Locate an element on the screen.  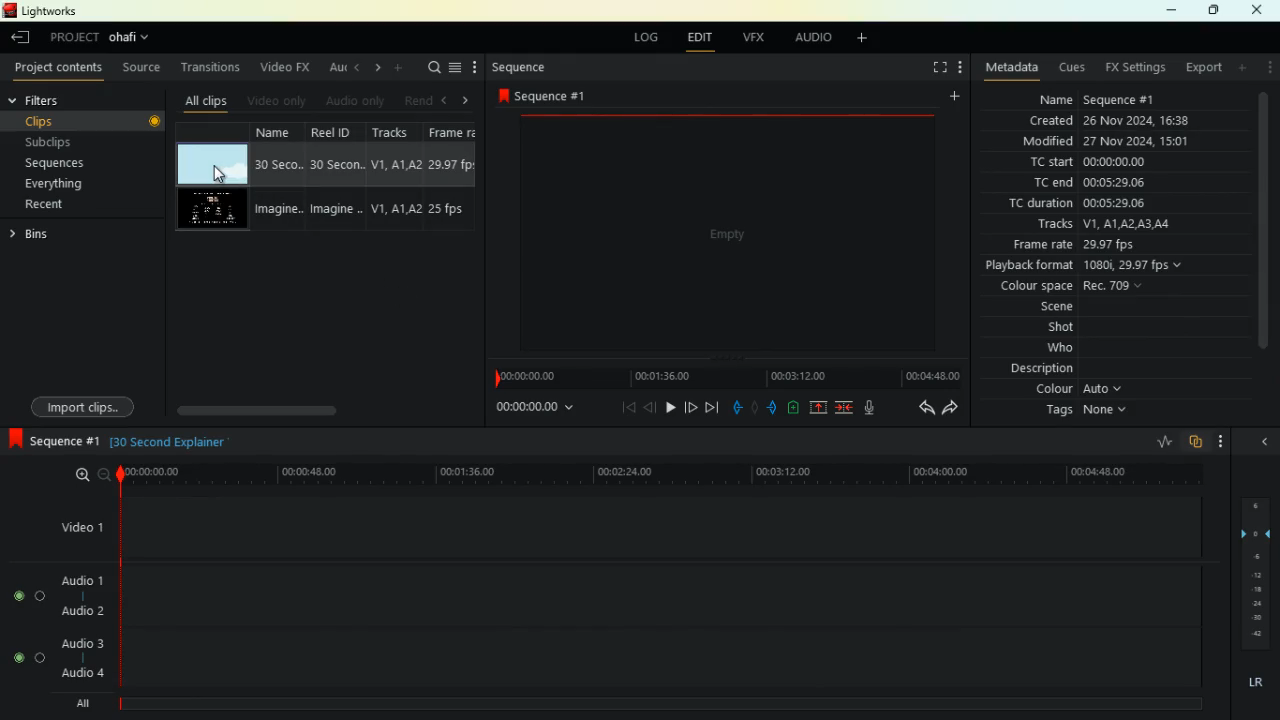
created 26 Nov 2024 16:38 is located at coordinates (1118, 119).